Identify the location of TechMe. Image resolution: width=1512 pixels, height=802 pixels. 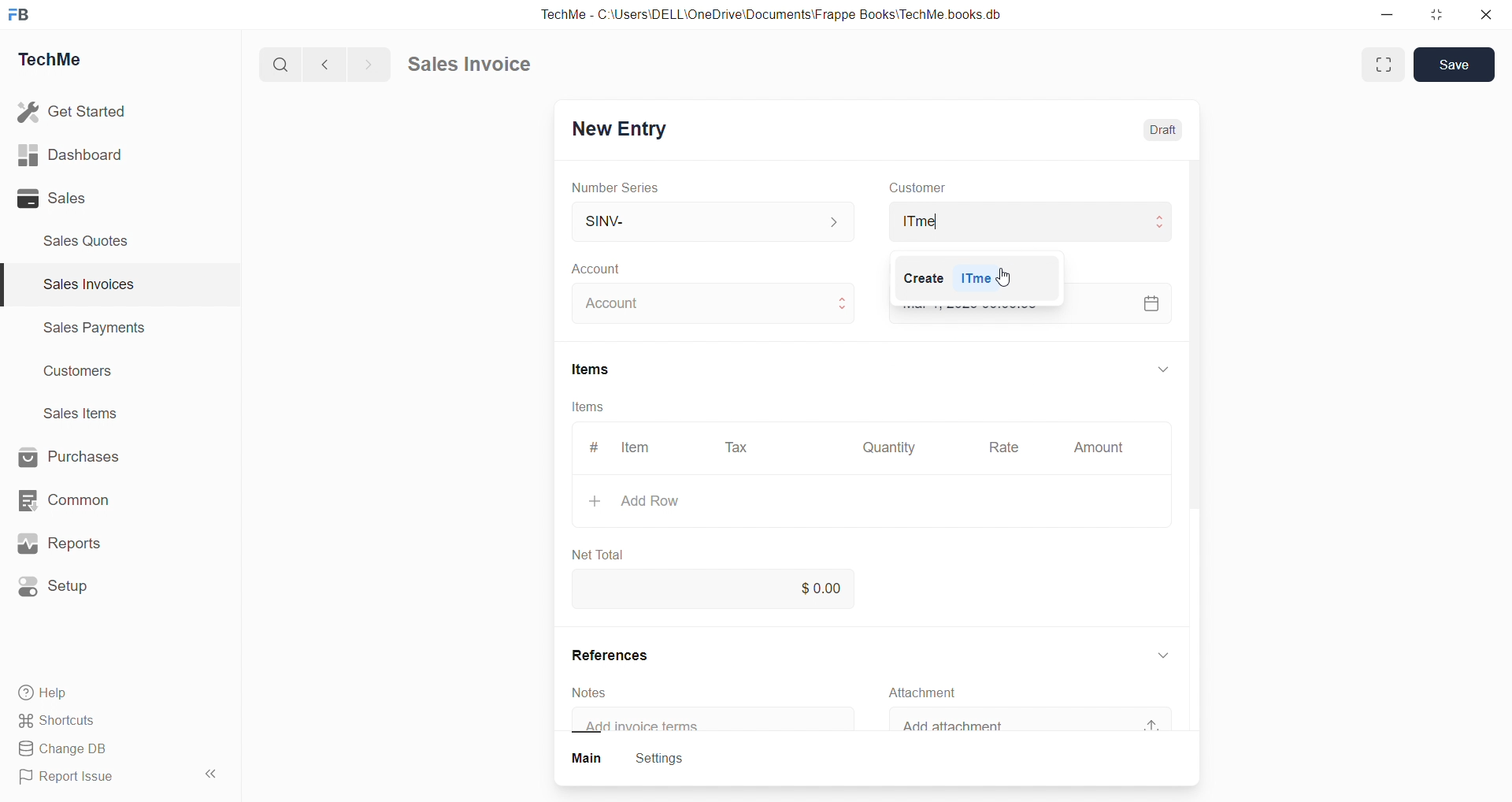
(63, 62).